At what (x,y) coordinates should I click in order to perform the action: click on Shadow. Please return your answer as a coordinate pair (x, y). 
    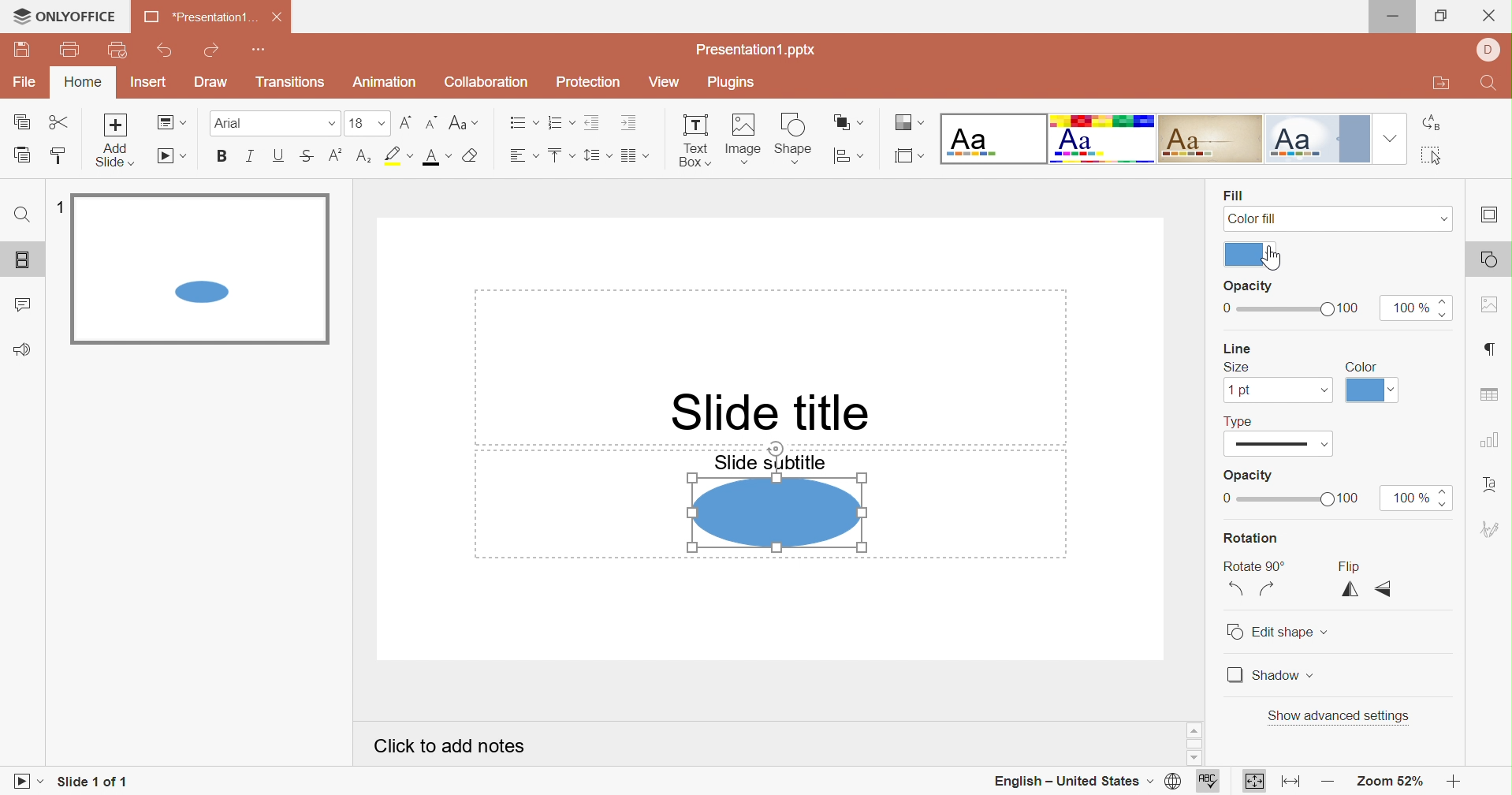
    Looking at the image, I should click on (1271, 675).